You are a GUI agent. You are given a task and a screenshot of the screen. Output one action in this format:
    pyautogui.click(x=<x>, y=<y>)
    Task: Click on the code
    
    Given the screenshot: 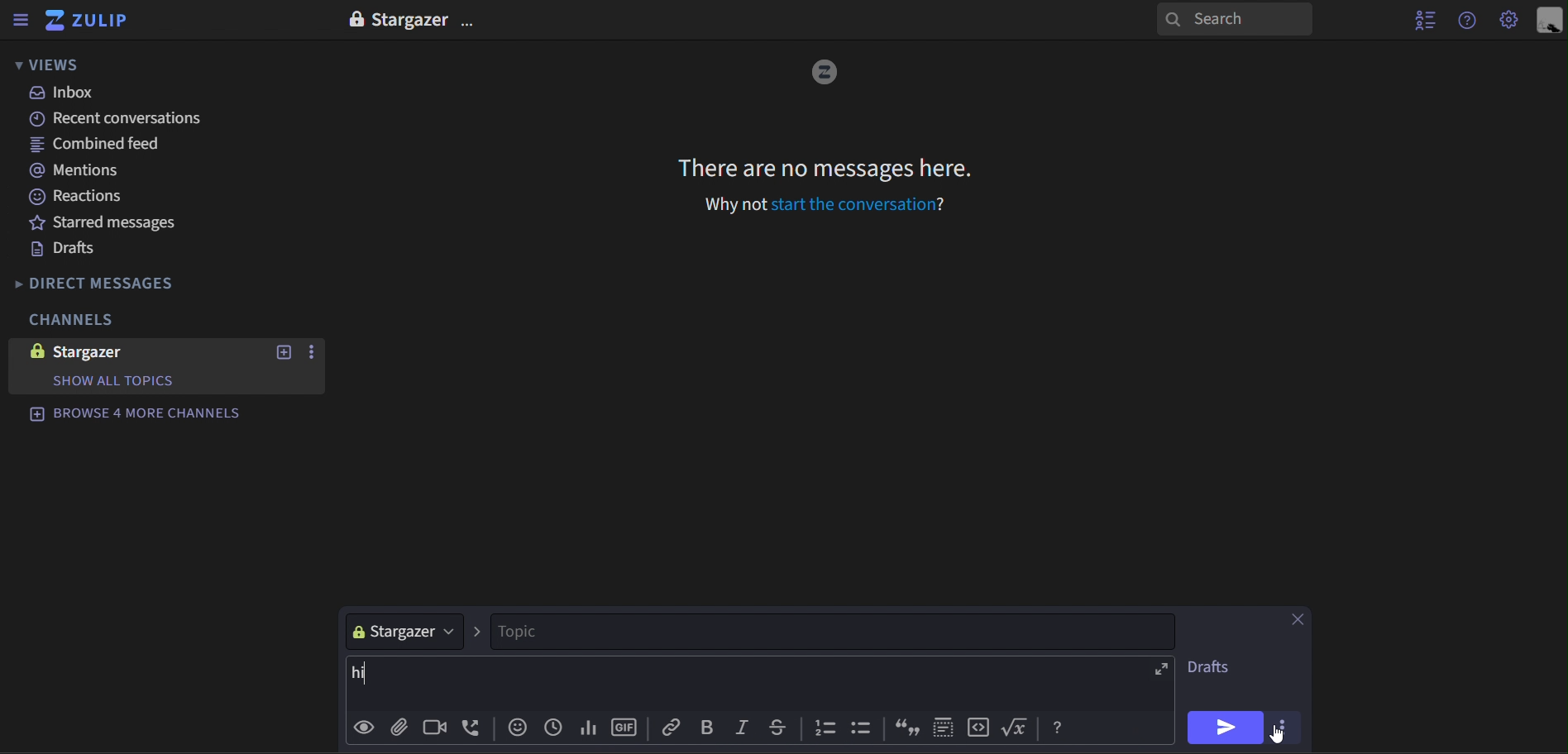 What is the action you would take?
    pyautogui.click(x=982, y=728)
    